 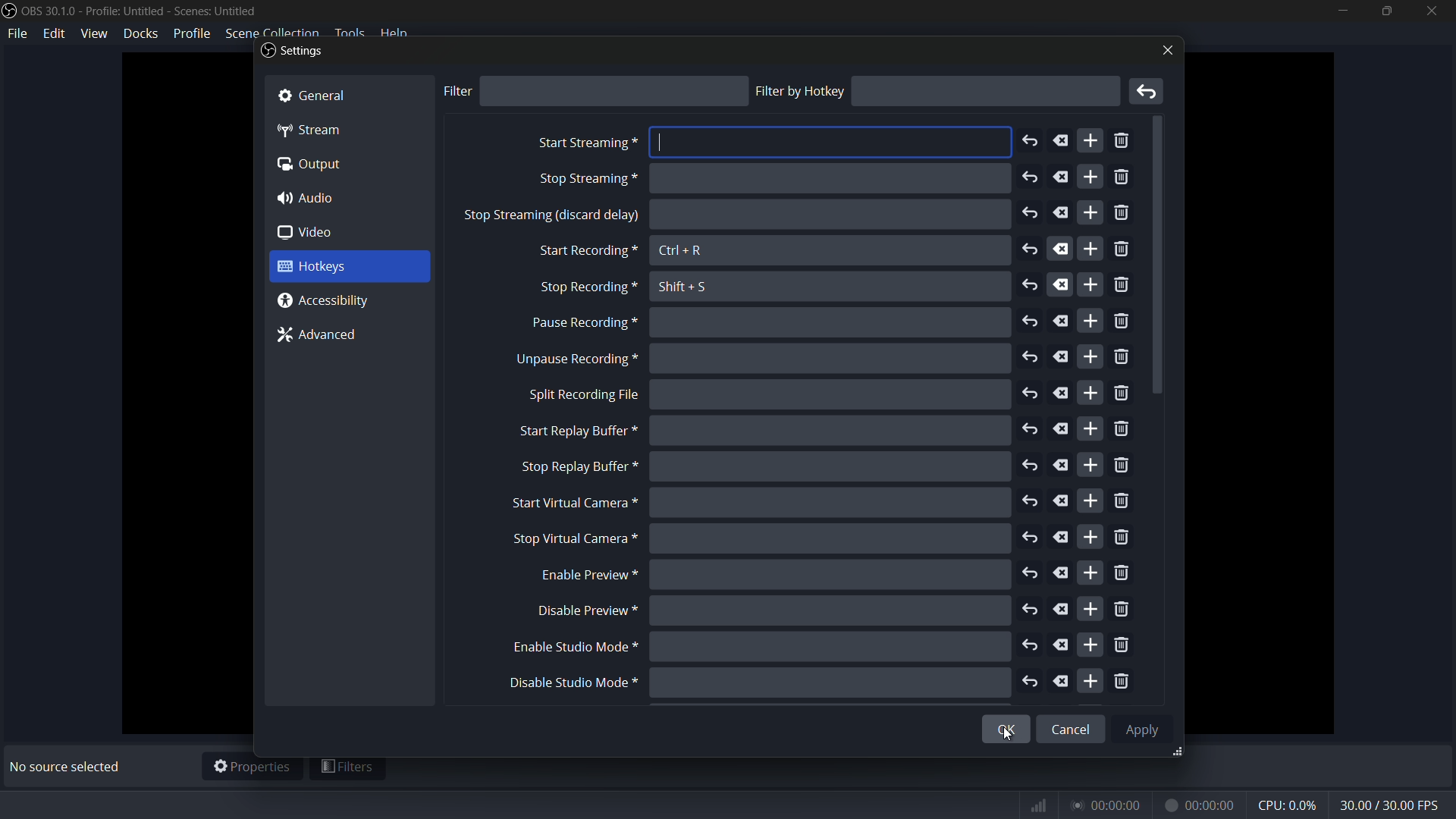 I want to click on “4p Stream, so click(x=319, y=129).